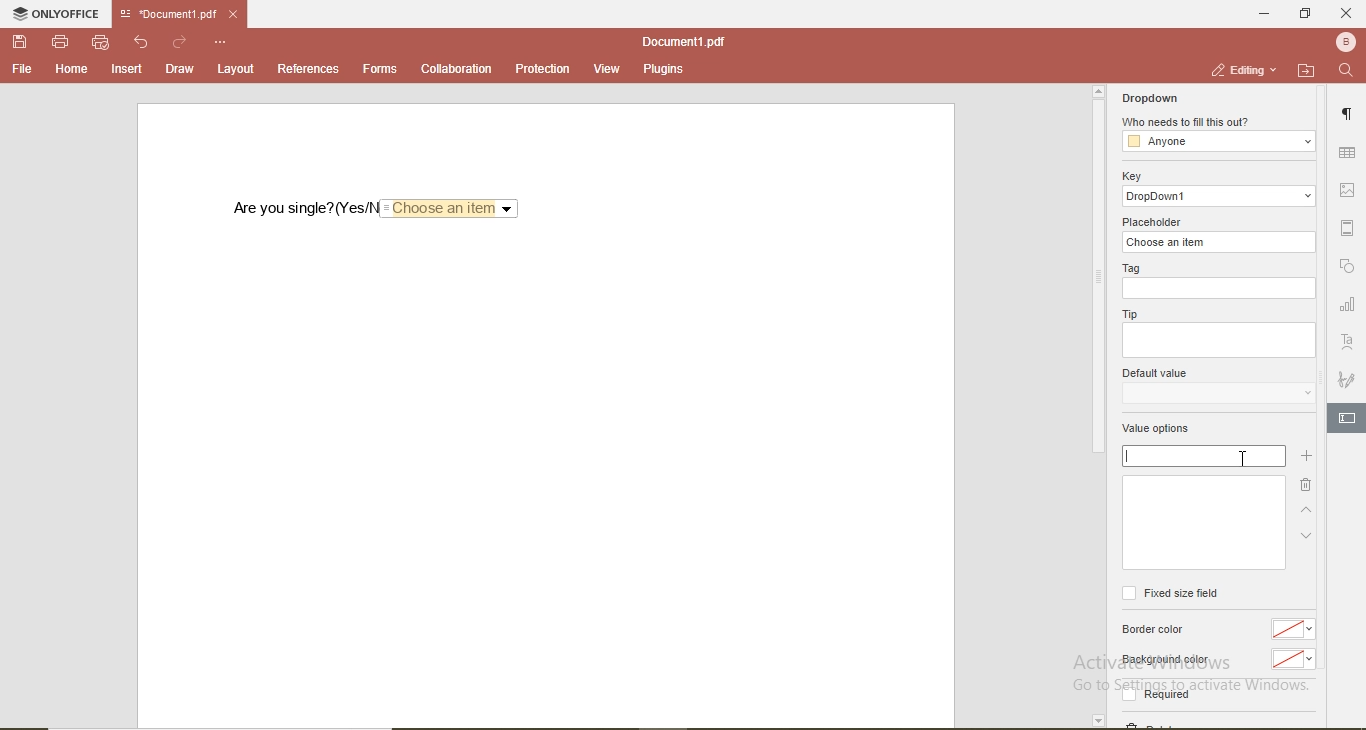 This screenshot has height=730, width=1366. What do you see at coordinates (127, 71) in the screenshot?
I see `insert` at bounding box center [127, 71].